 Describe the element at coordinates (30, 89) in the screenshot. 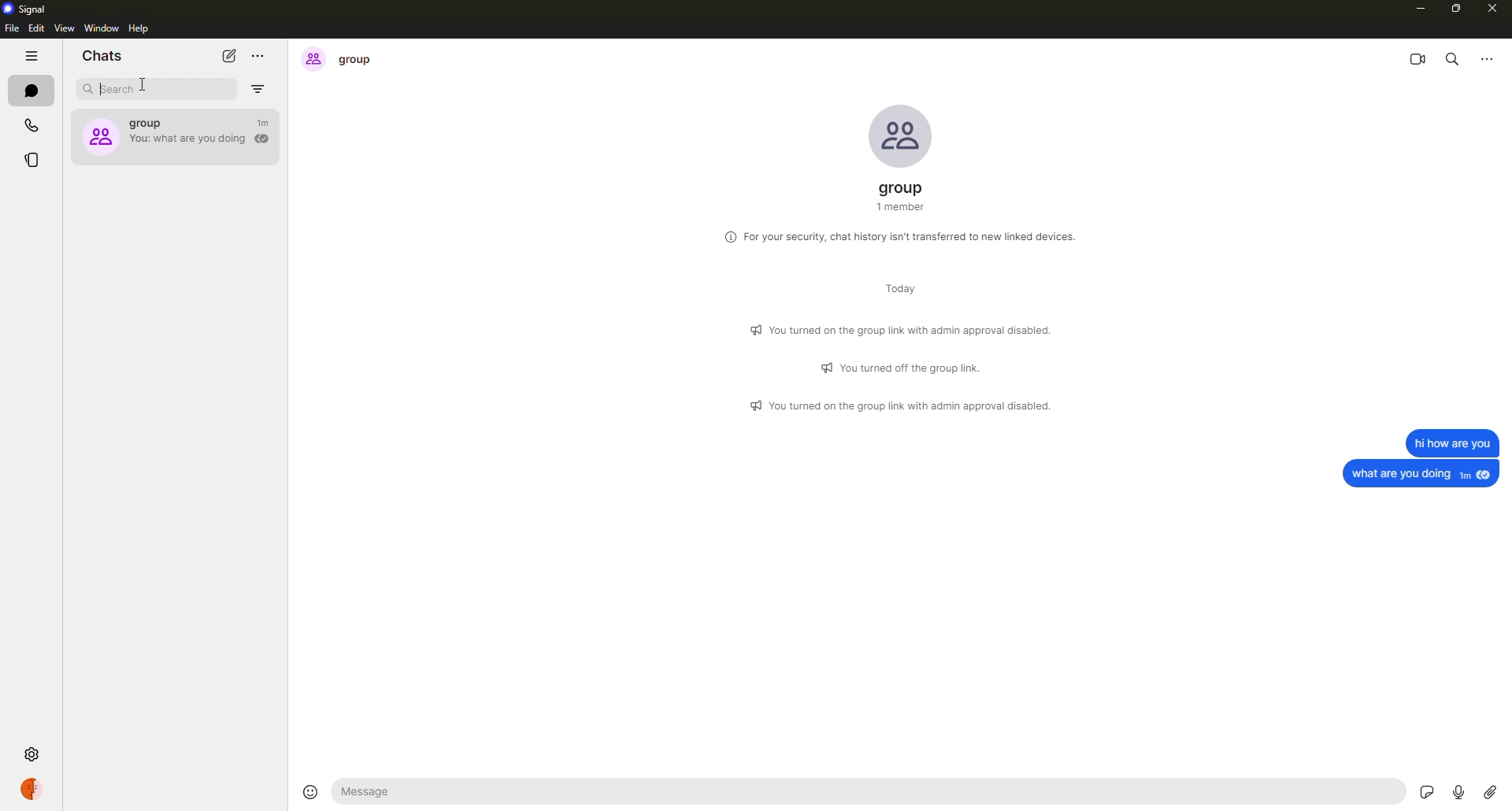

I see `chats` at that location.